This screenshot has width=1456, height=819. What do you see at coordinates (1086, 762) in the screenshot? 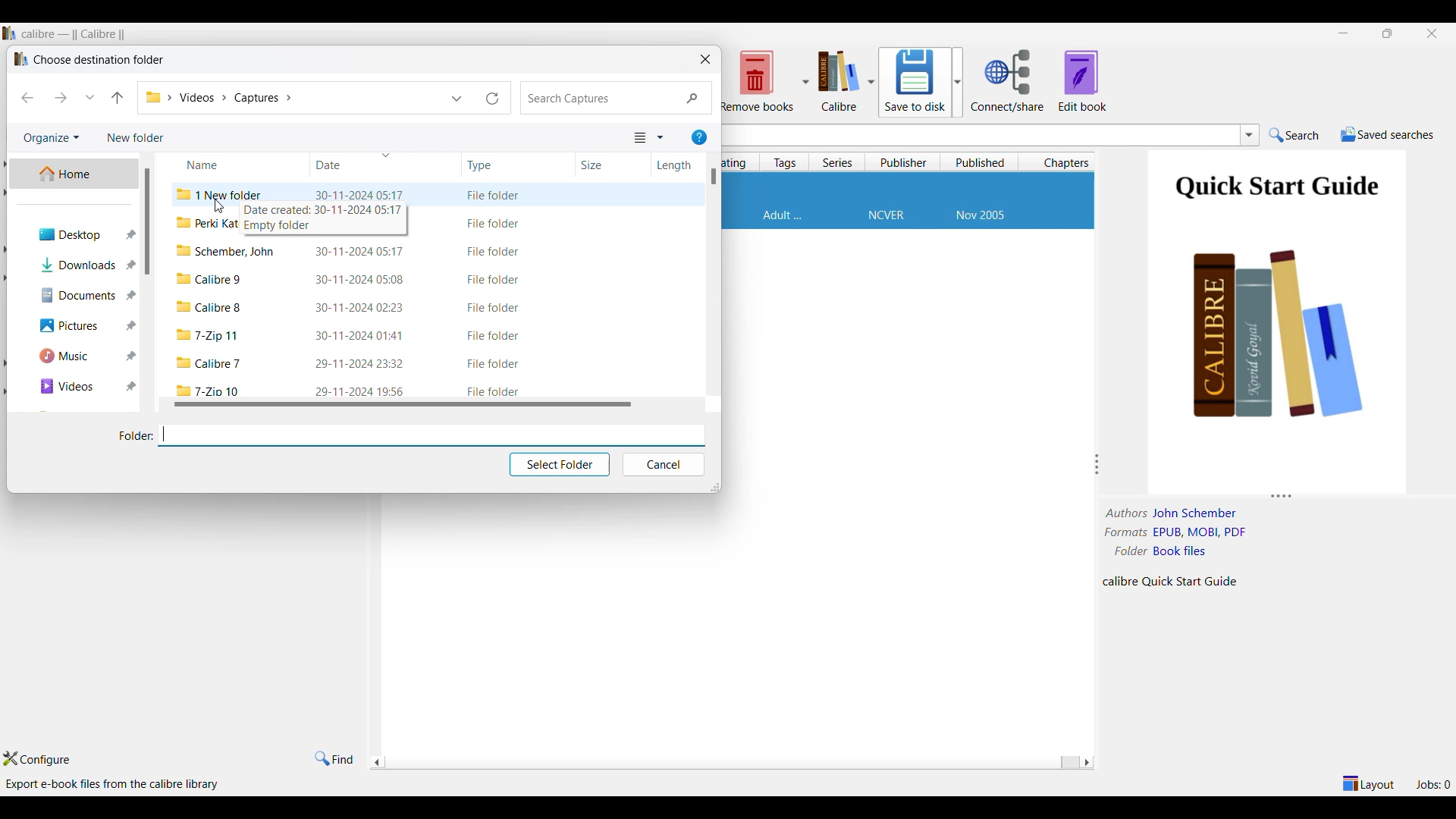
I see `scroll left` at bounding box center [1086, 762].